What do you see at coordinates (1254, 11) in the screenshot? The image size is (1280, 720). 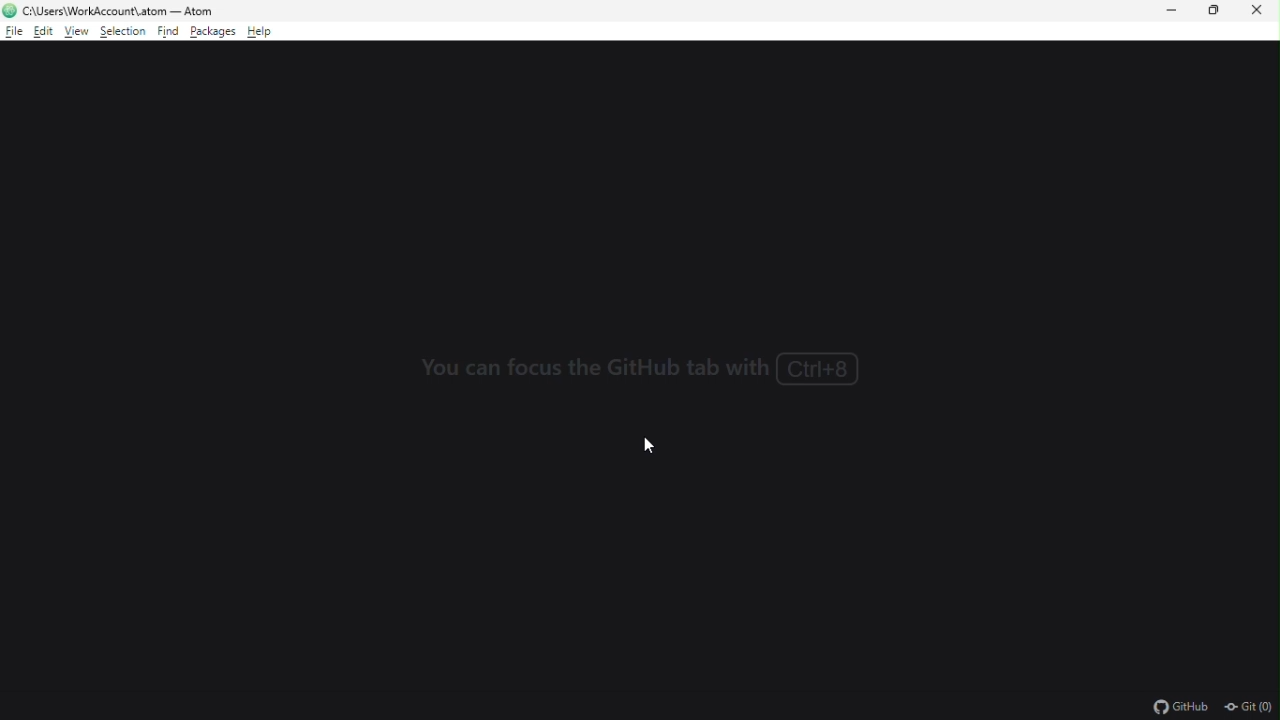 I see `close` at bounding box center [1254, 11].